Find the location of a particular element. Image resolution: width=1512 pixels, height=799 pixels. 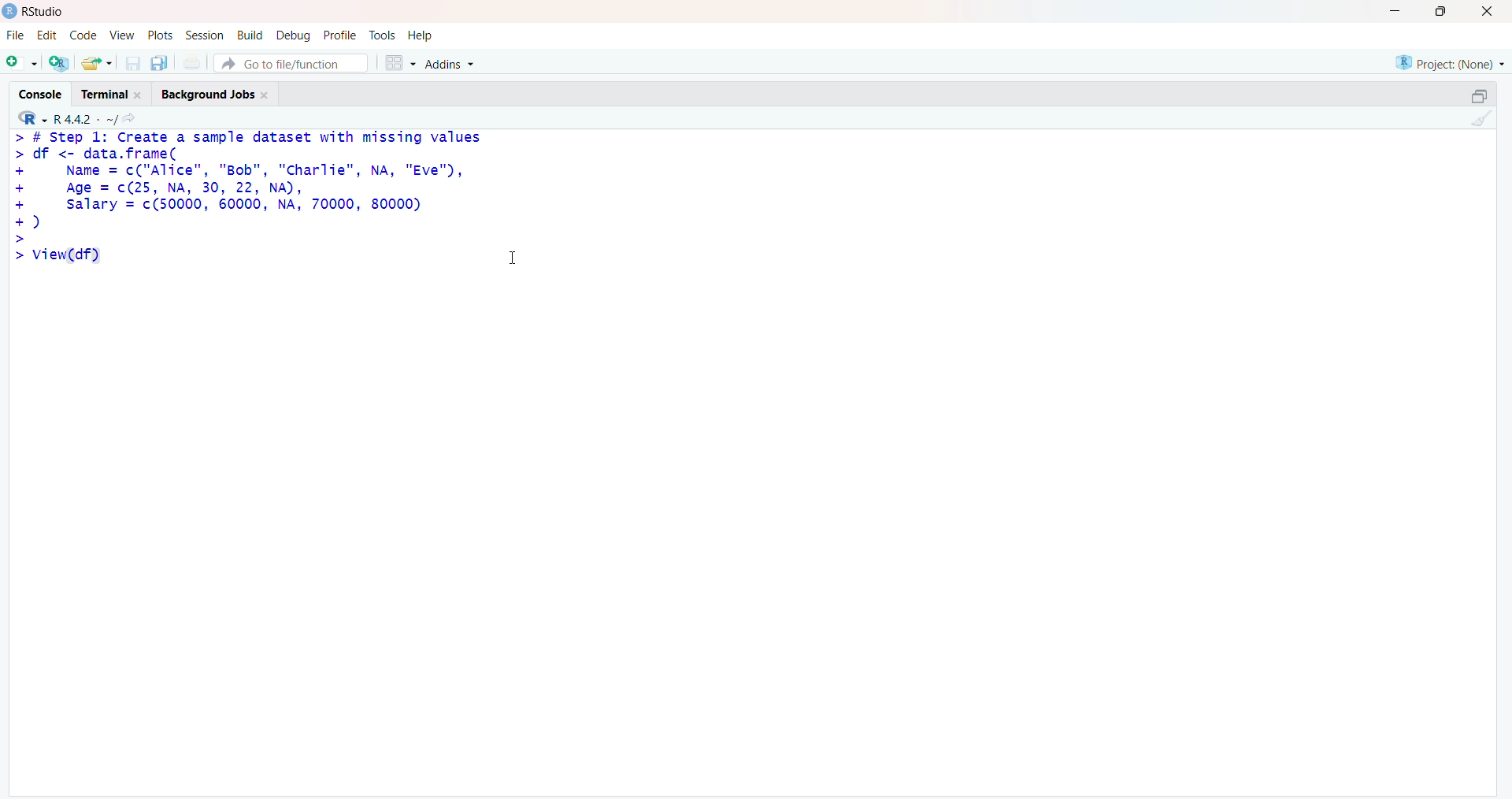

Maximize is located at coordinates (1482, 96).